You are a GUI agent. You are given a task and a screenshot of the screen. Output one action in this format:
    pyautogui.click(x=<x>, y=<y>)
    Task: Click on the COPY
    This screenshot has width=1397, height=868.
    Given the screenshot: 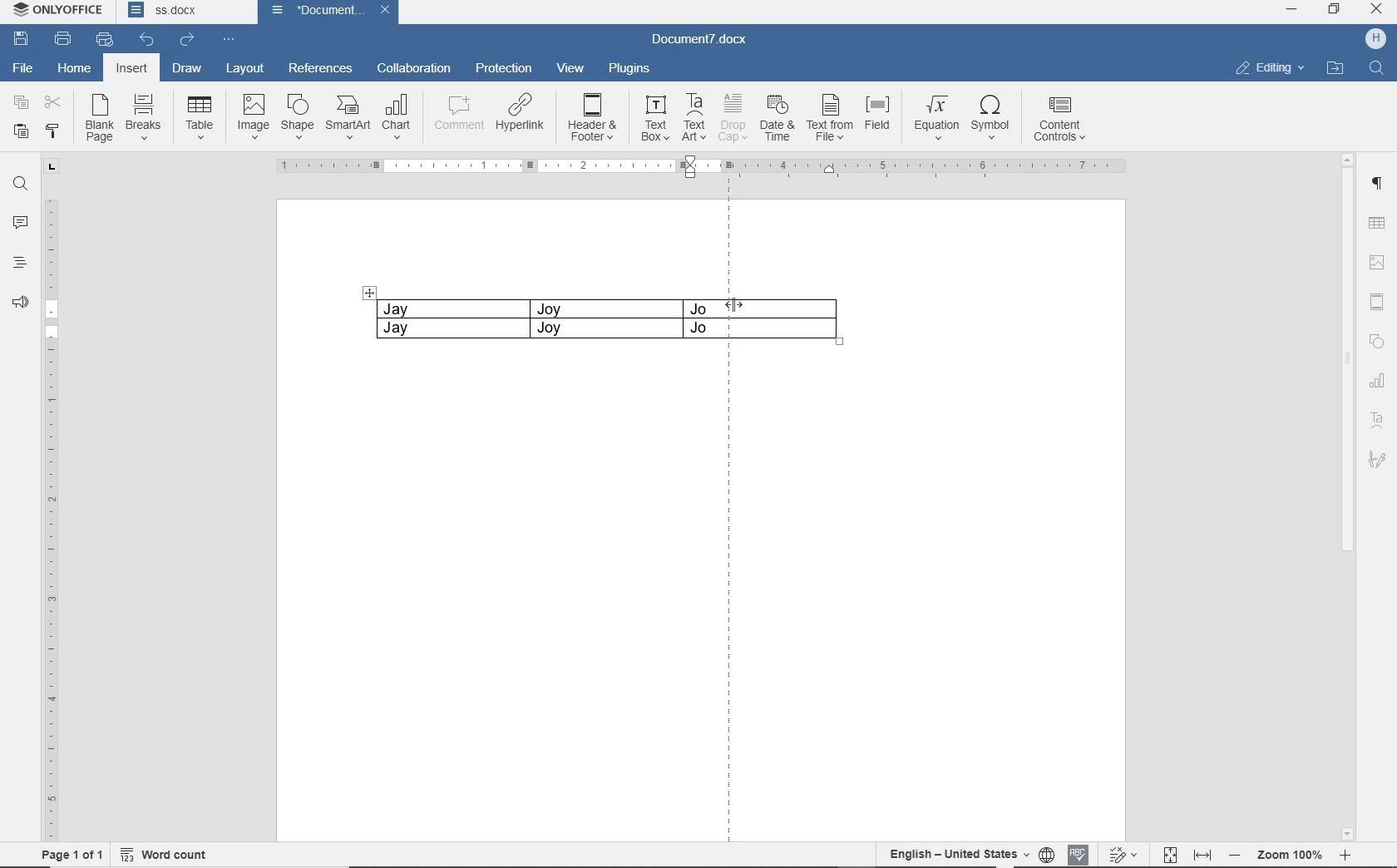 What is the action you would take?
    pyautogui.click(x=21, y=104)
    